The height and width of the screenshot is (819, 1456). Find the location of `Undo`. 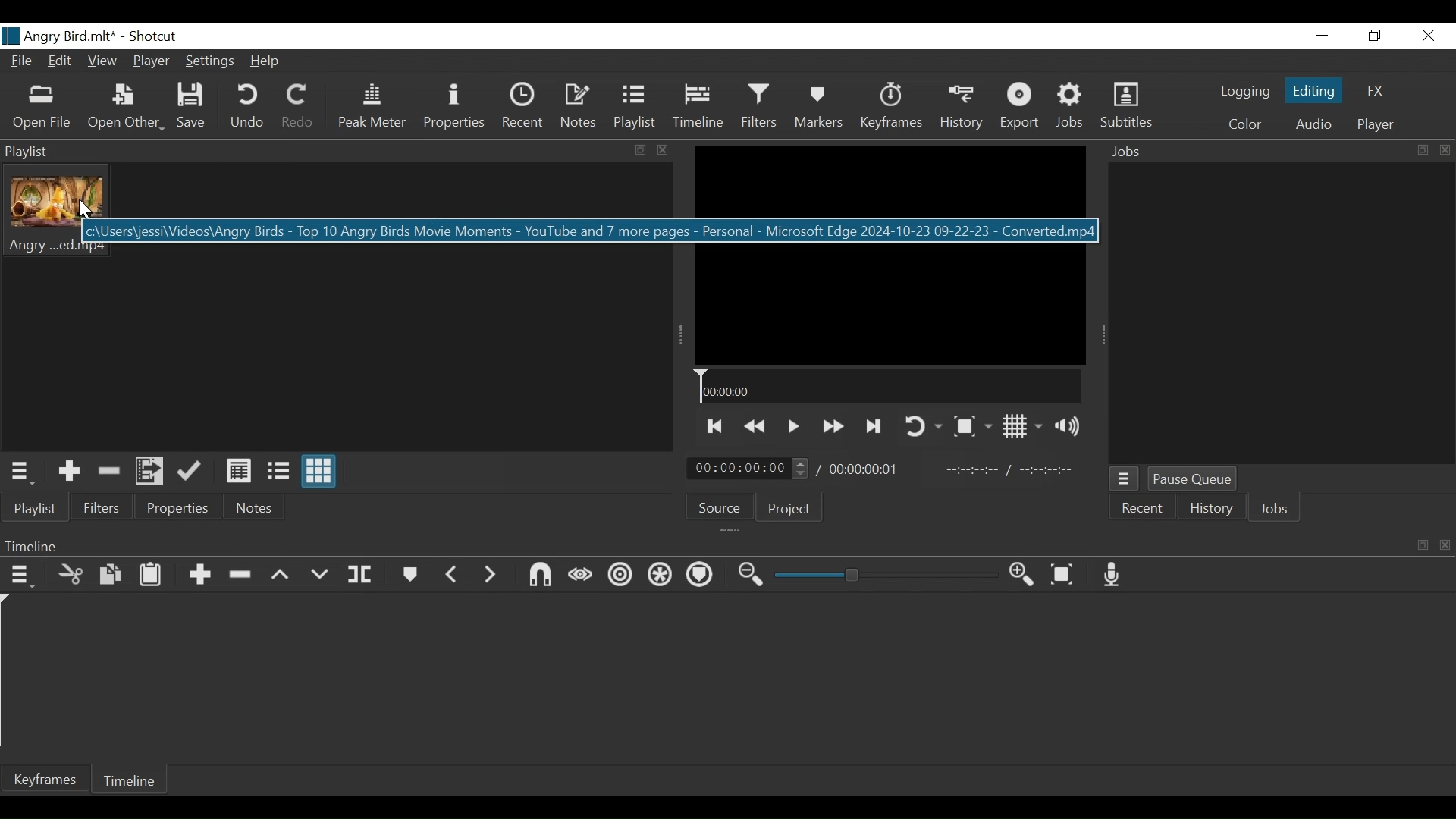

Undo is located at coordinates (246, 106).